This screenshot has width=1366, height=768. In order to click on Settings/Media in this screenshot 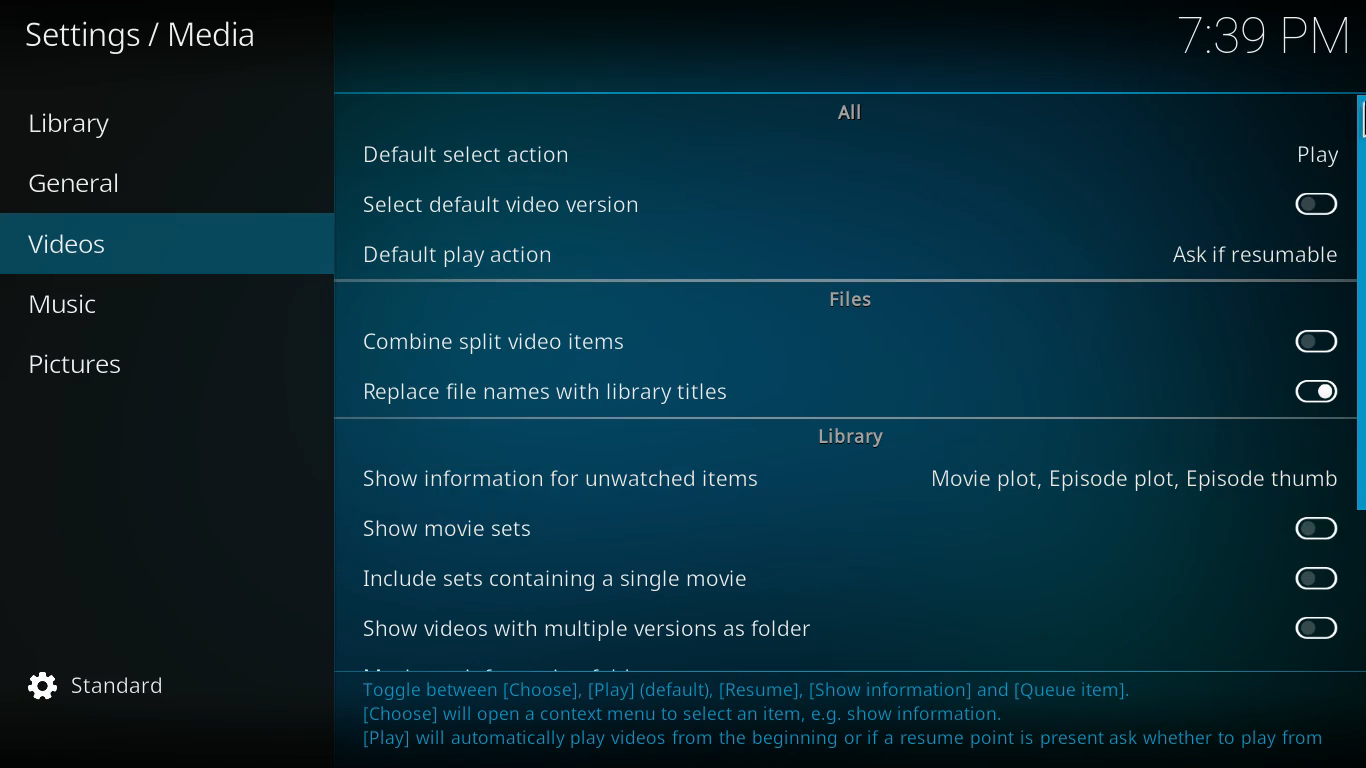, I will do `click(146, 36)`.